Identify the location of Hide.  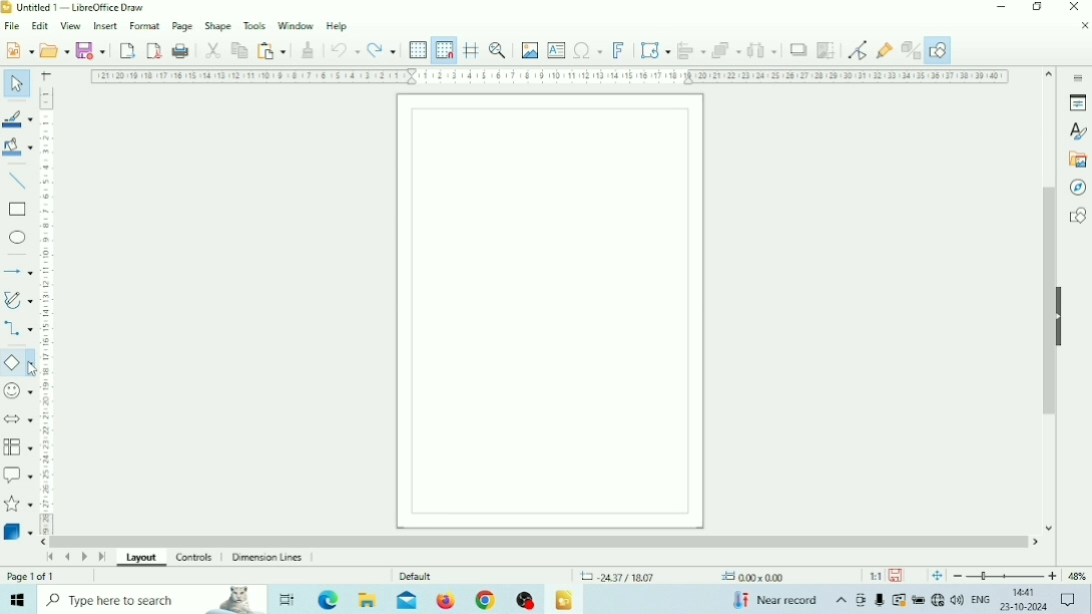
(1062, 314).